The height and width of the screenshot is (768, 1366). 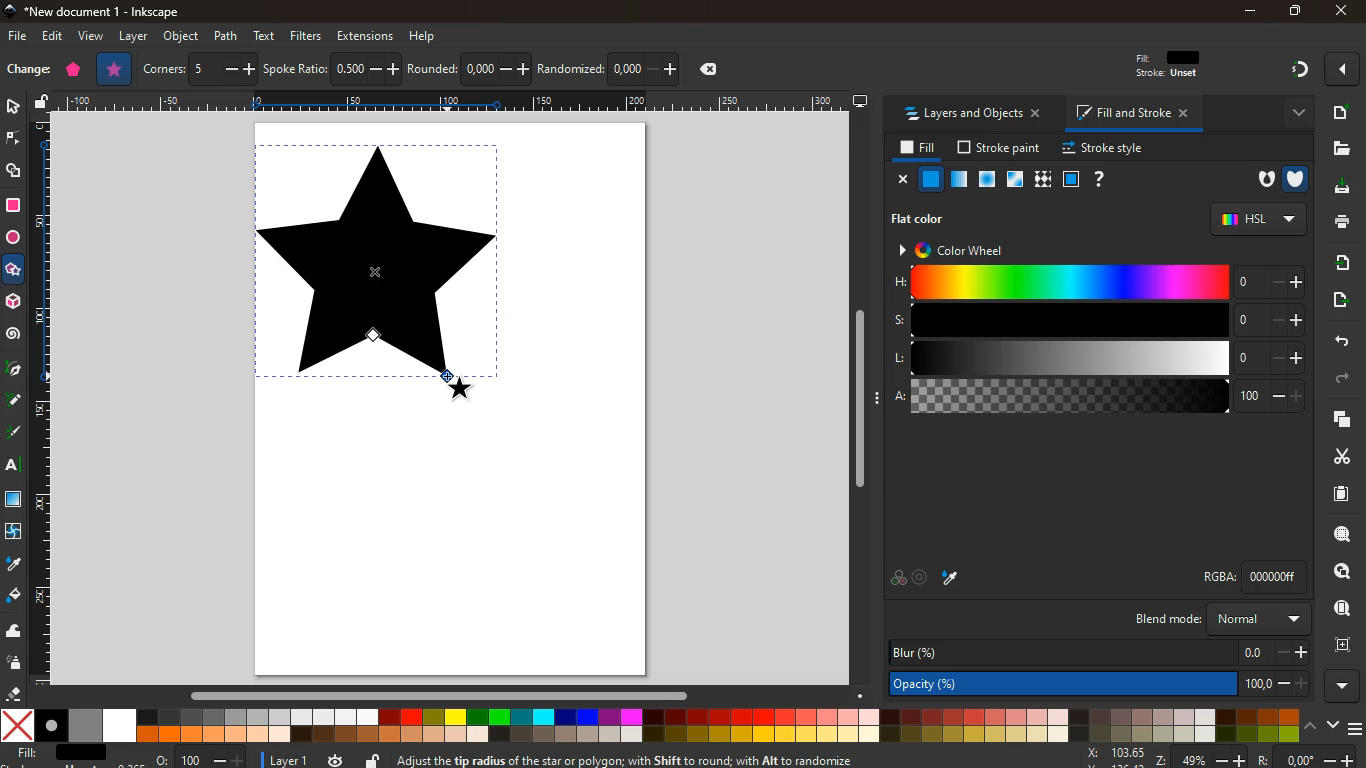 What do you see at coordinates (1338, 224) in the screenshot?
I see `print` at bounding box center [1338, 224].